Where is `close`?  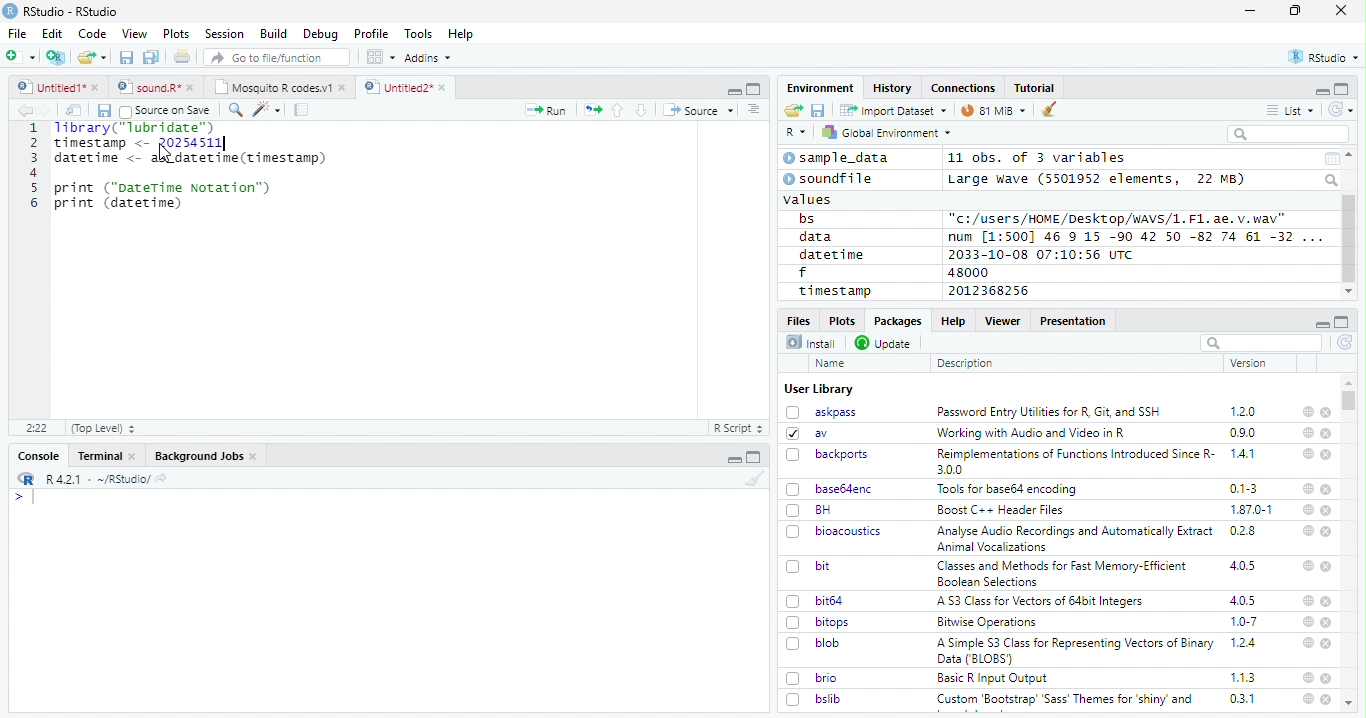
close is located at coordinates (1328, 644).